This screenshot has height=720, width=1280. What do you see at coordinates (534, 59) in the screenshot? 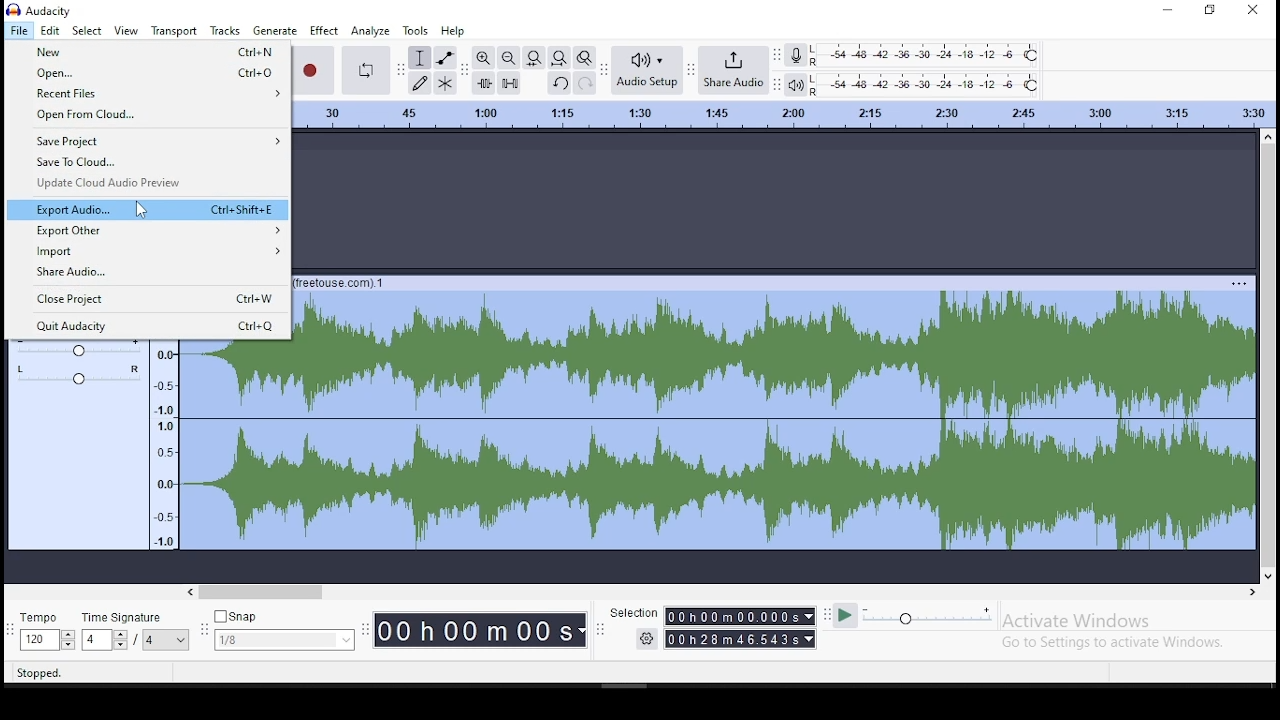
I see `fit selection to width` at bounding box center [534, 59].